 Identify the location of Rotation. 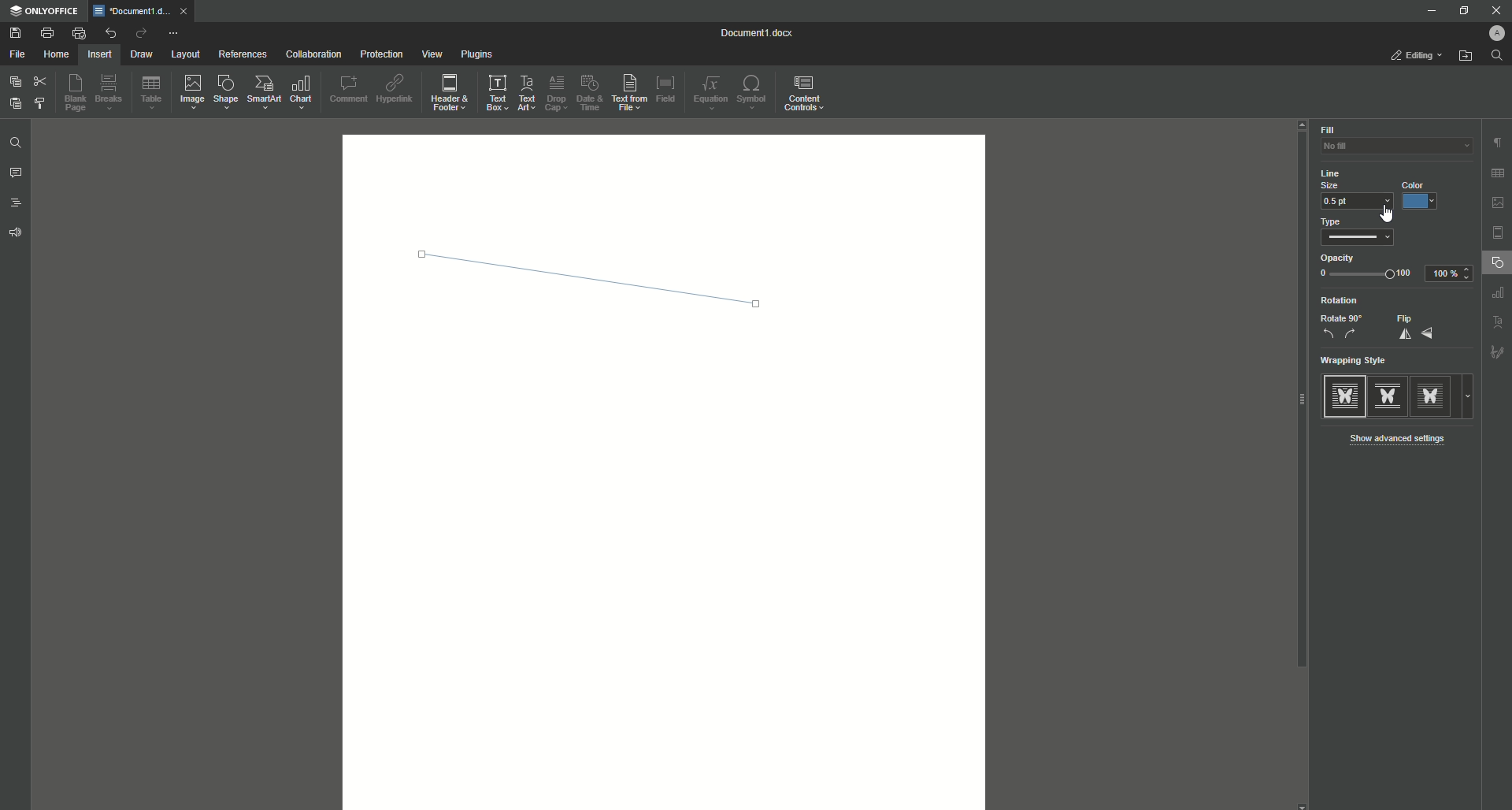
(1337, 300).